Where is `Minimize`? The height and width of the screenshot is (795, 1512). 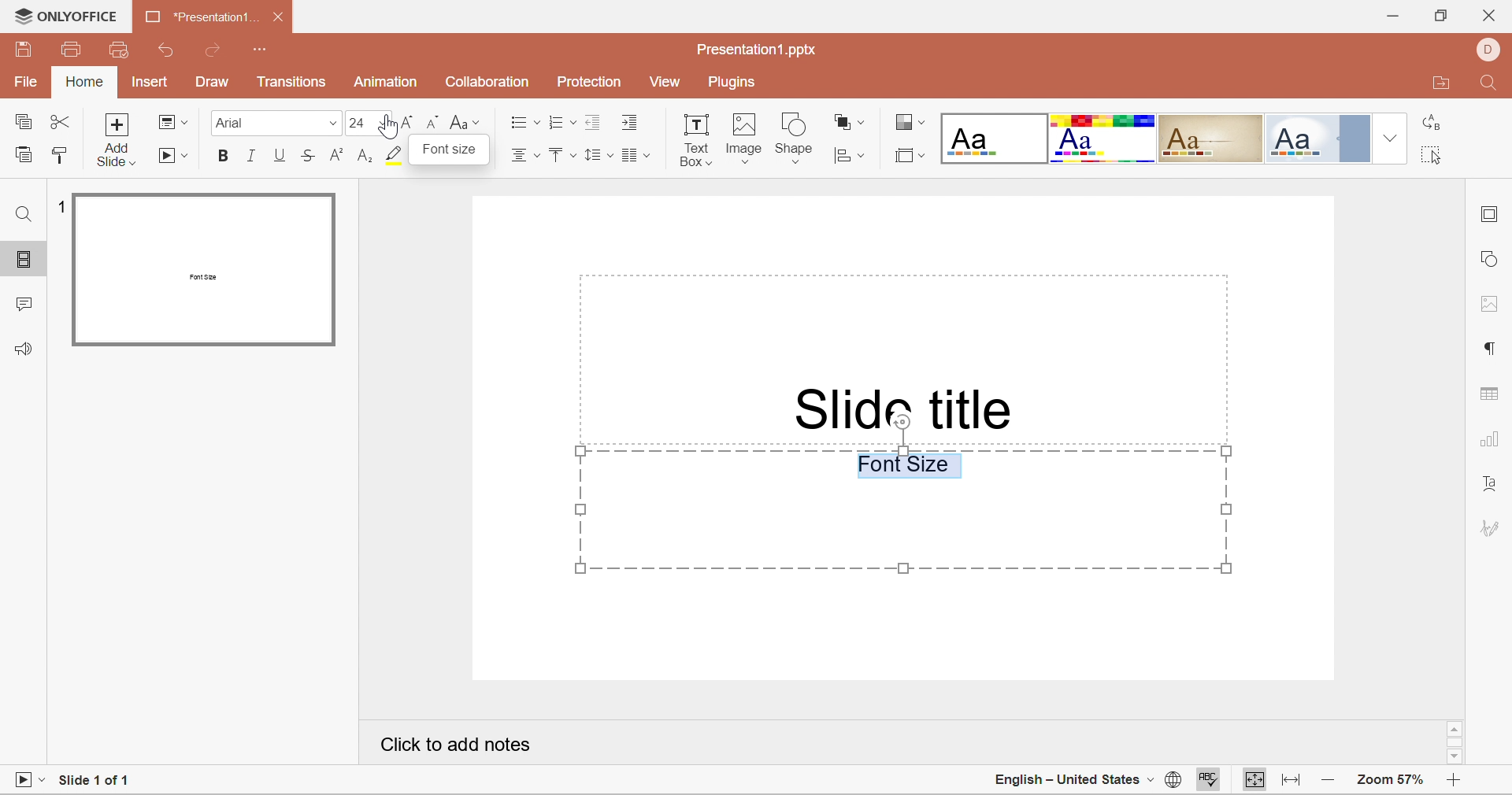 Minimize is located at coordinates (1392, 15).